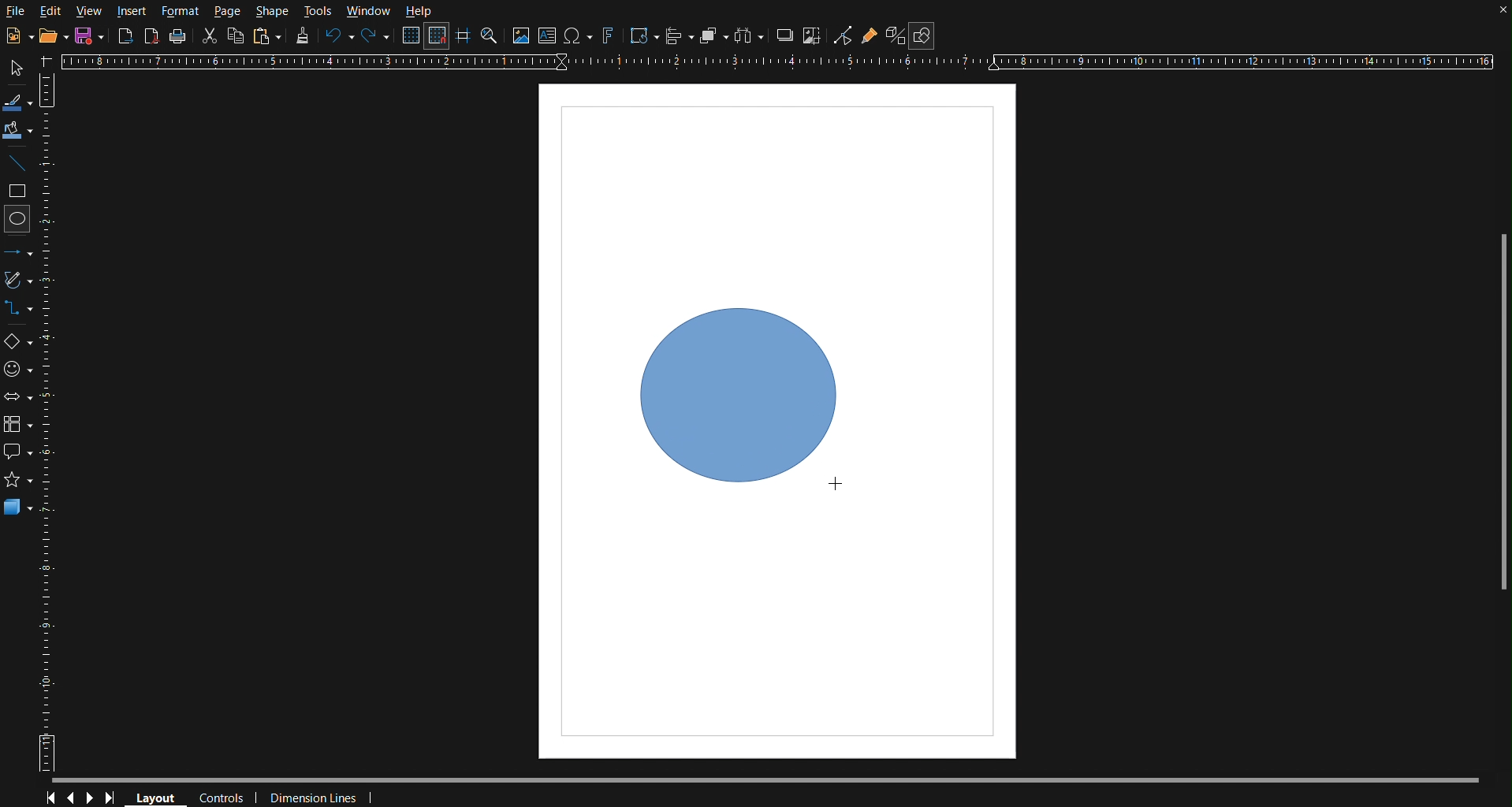  Describe the element at coordinates (23, 508) in the screenshot. I see `3D Objects` at that location.